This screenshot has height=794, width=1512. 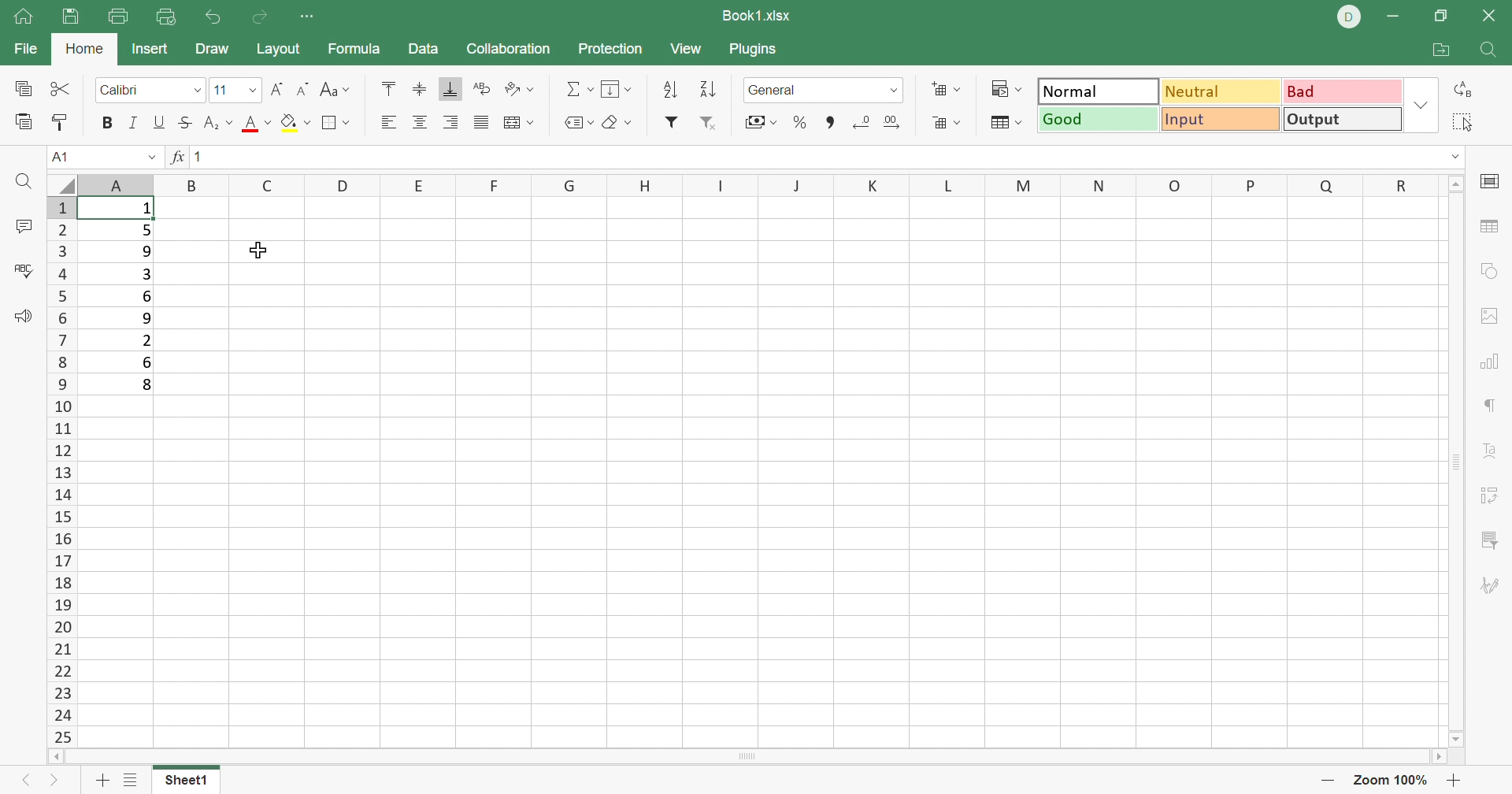 I want to click on fx, so click(x=176, y=156).